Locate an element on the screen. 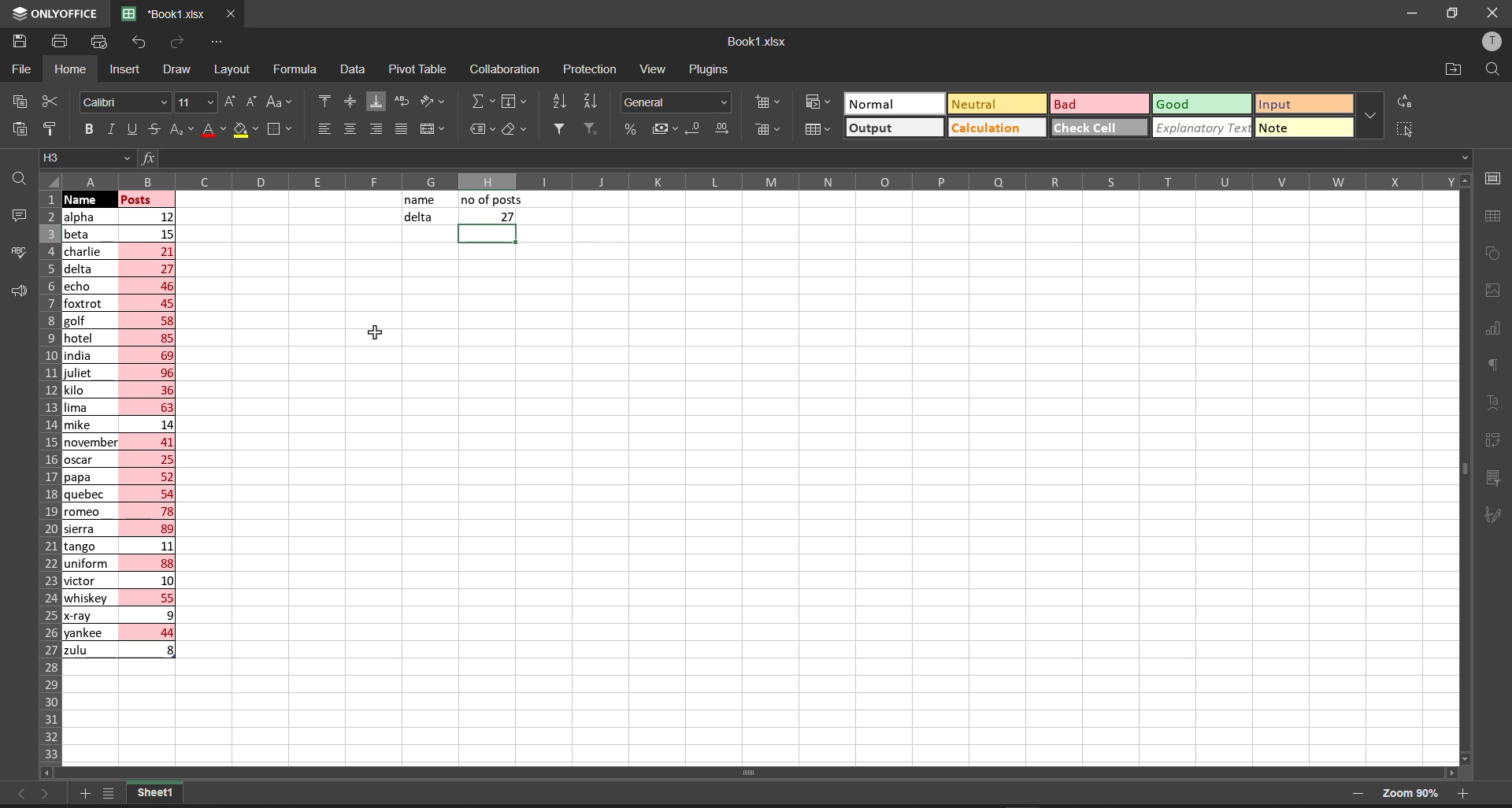 Image resolution: width=1512 pixels, height=808 pixels. cursor is located at coordinates (374, 328).